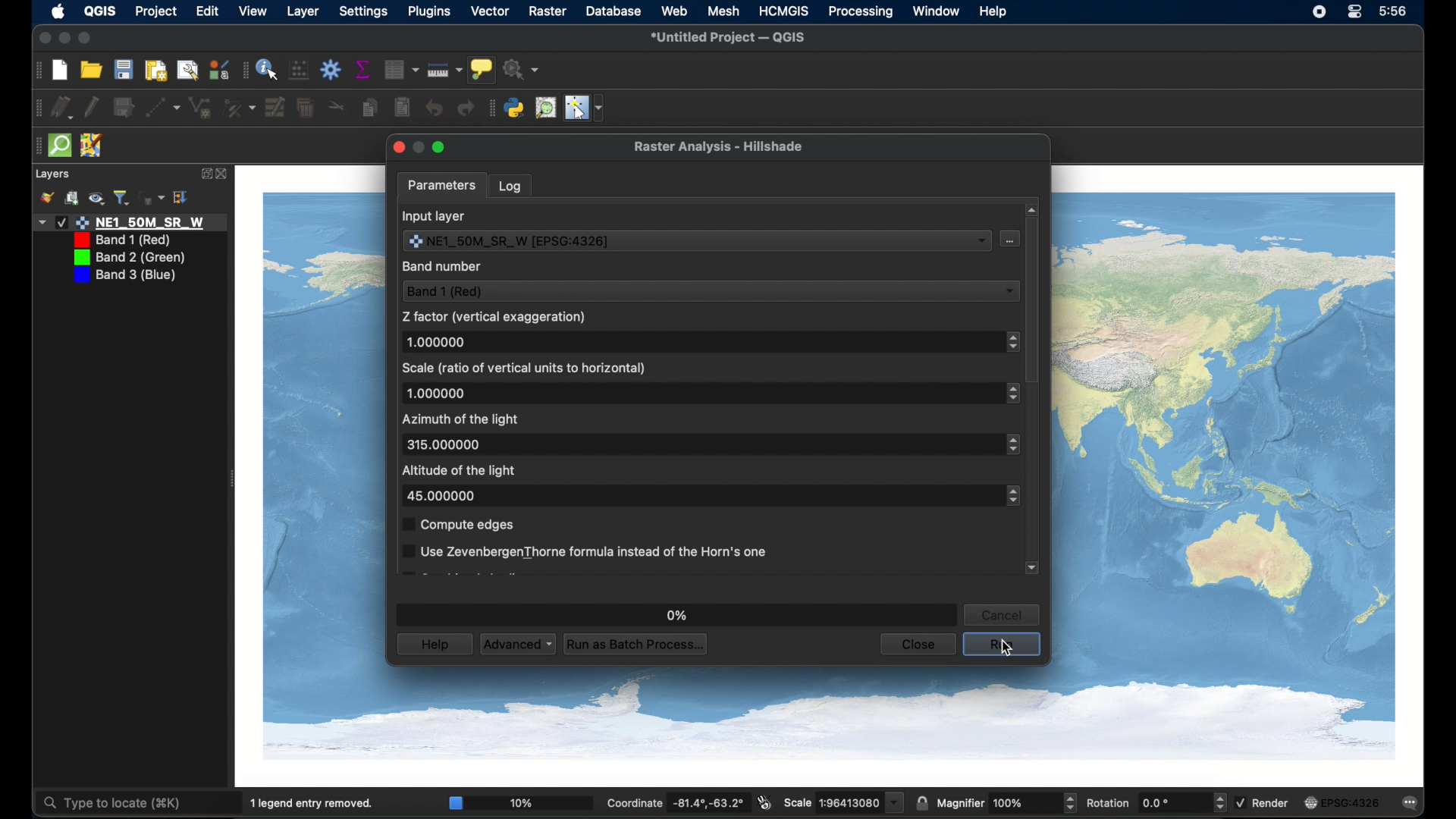 This screenshot has height=819, width=1456. I want to click on stepper buttons, so click(1011, 343).